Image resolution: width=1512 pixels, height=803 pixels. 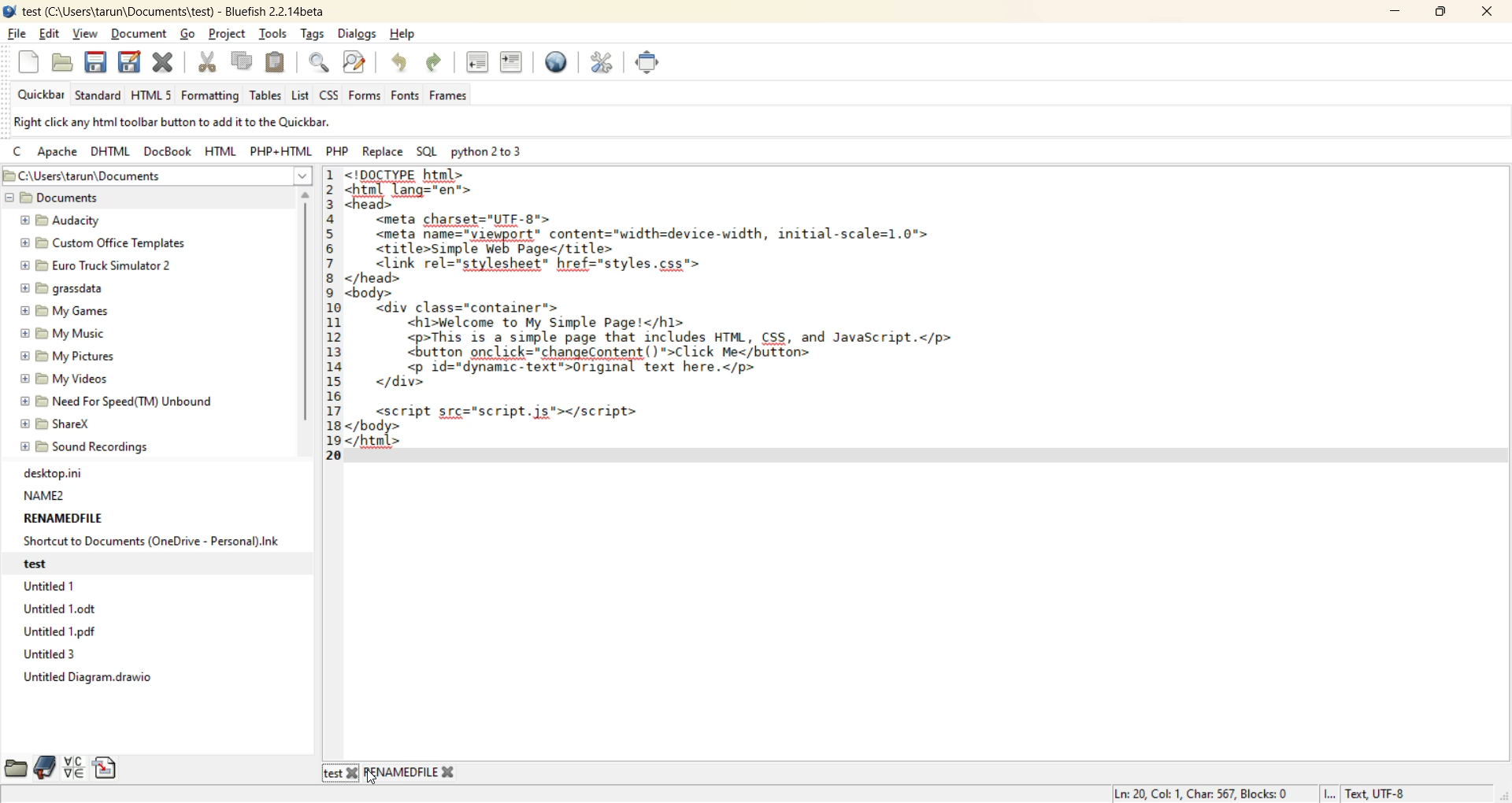 What do you see at coordinates (59, 217) in the screenshot?
I see `Audacity` at bounding box center [59, 217].